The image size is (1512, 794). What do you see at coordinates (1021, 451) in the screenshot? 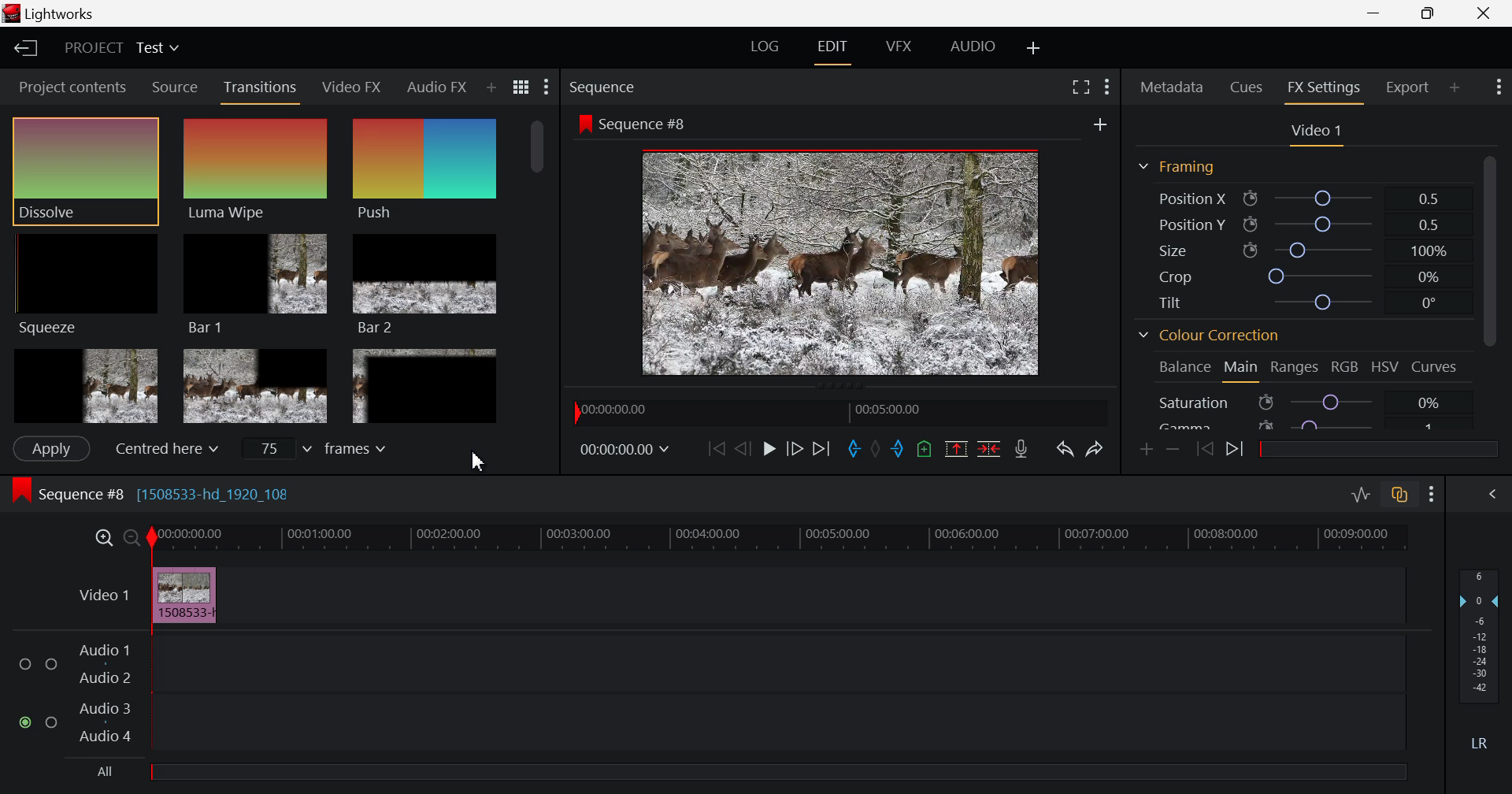
I see `Record Voiceover` at bounding box center [1021, 451].